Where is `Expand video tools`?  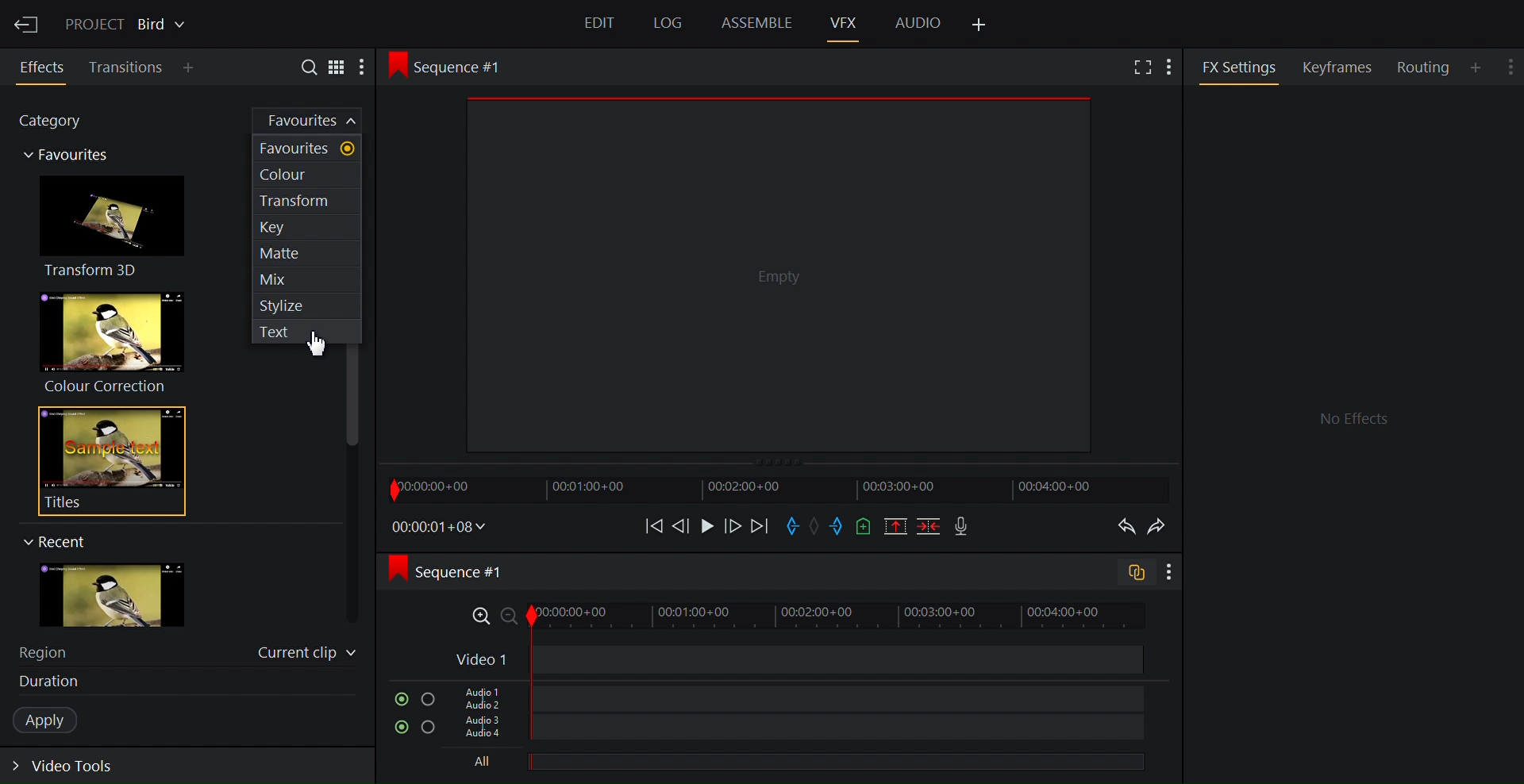
Expand video tools is located at coordinates (73, 769).